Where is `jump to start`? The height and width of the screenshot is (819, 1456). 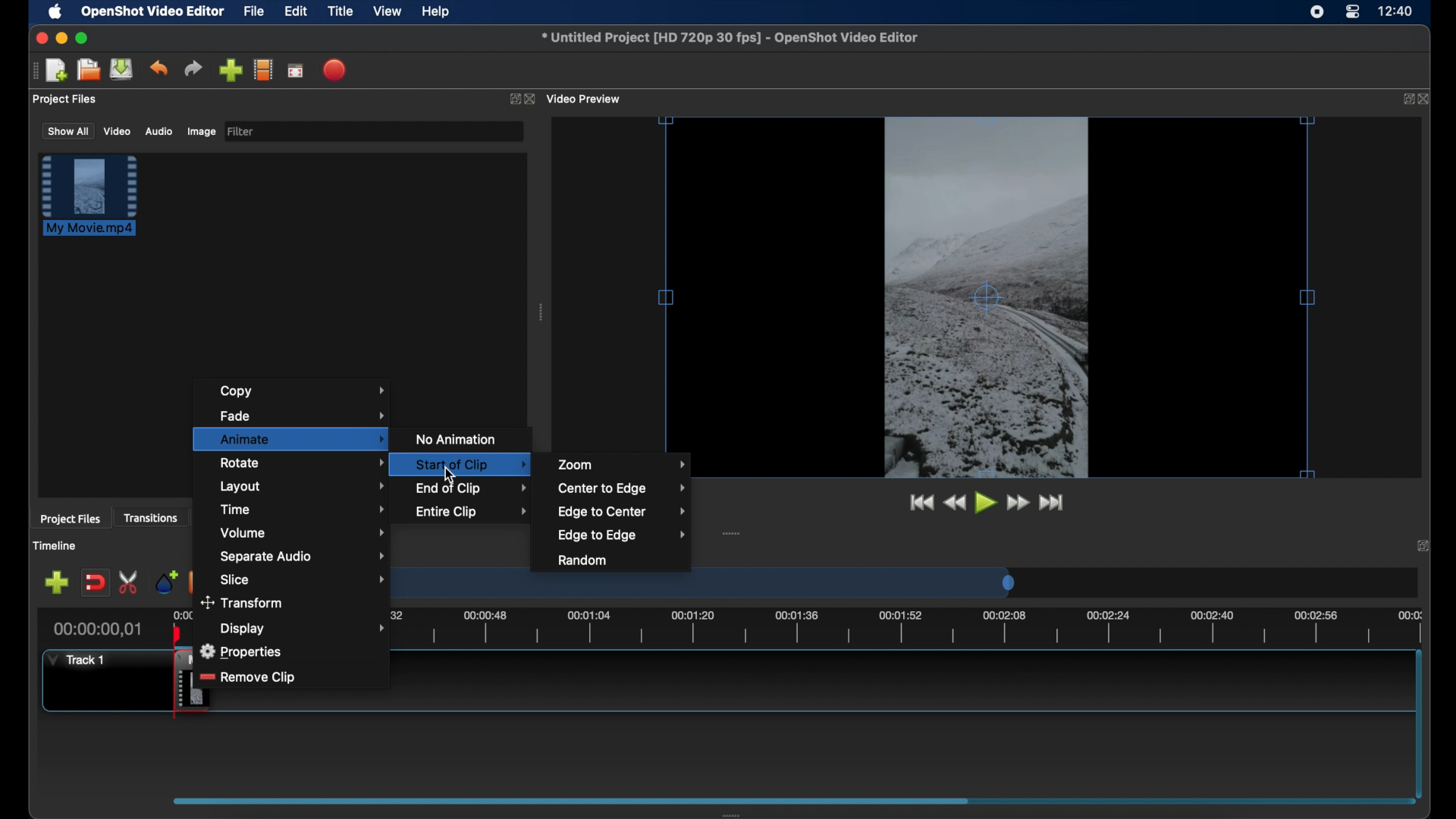
jump to start is located at coordinates (918, 502).